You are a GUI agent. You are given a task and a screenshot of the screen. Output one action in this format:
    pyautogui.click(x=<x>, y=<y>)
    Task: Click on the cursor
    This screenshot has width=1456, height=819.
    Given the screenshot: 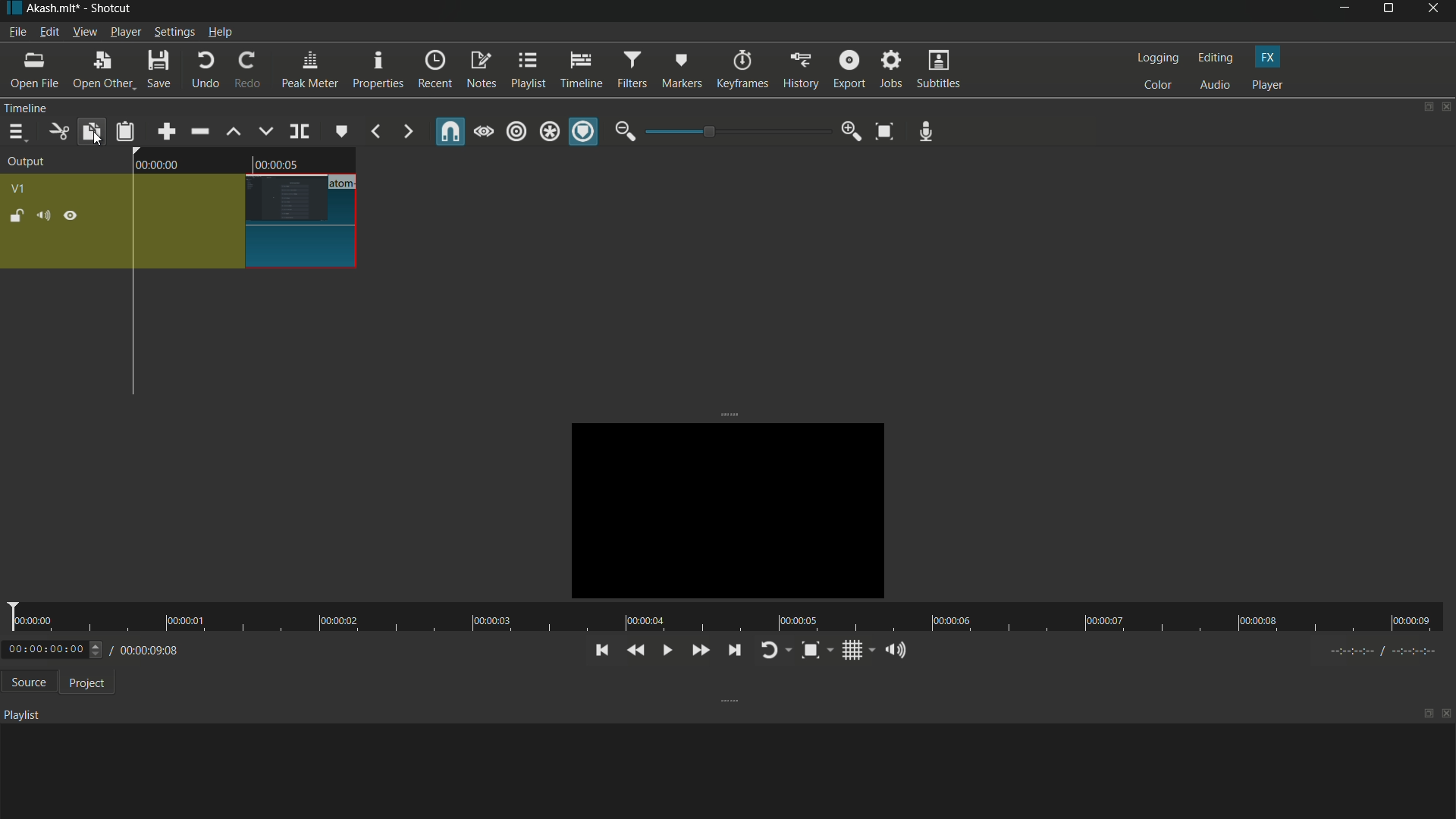 What is the action you would take?
    pyautogui.click(x=96, y=141)
    